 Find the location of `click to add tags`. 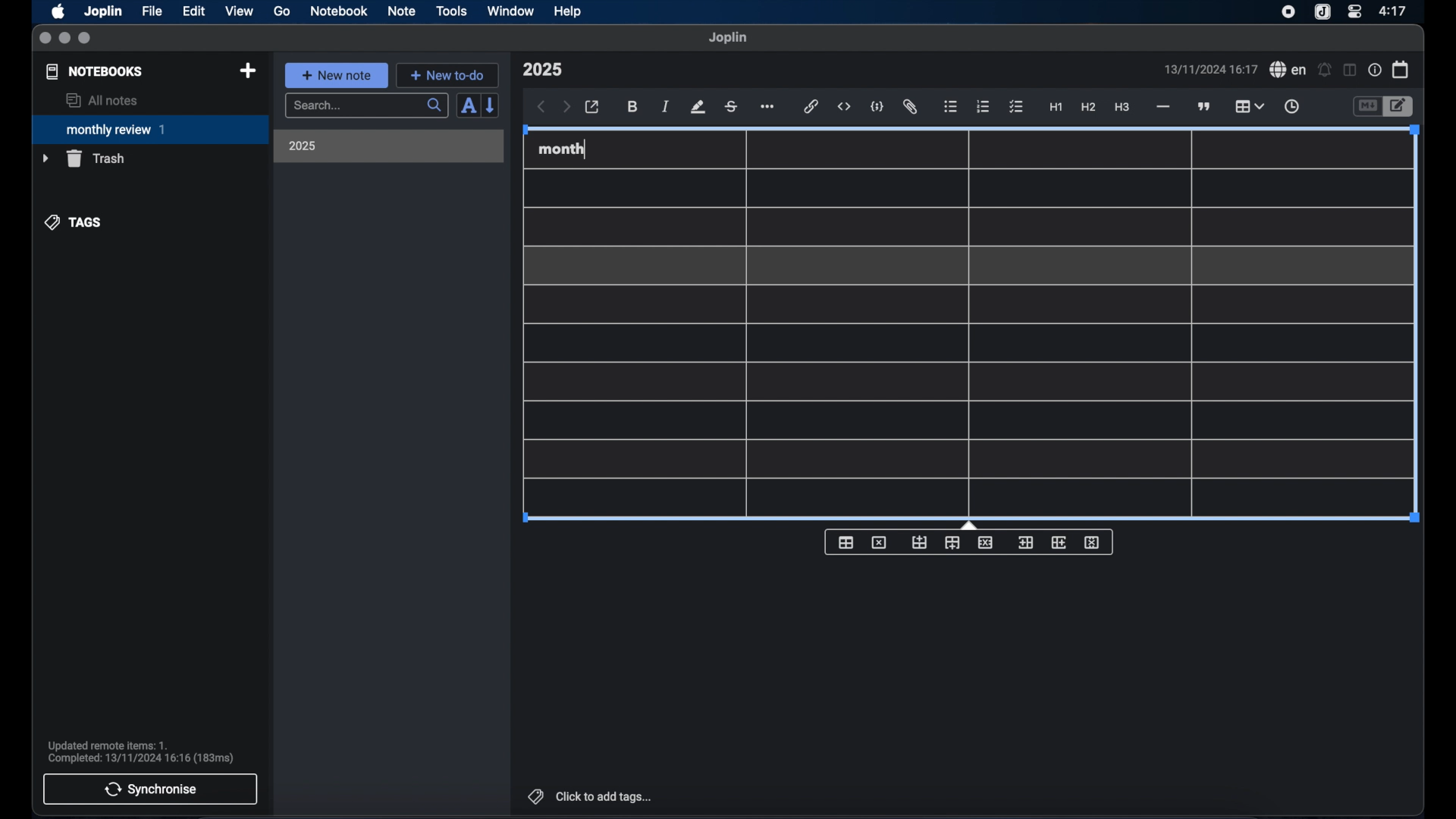

click to add tags is located at coordinates (591, 796).